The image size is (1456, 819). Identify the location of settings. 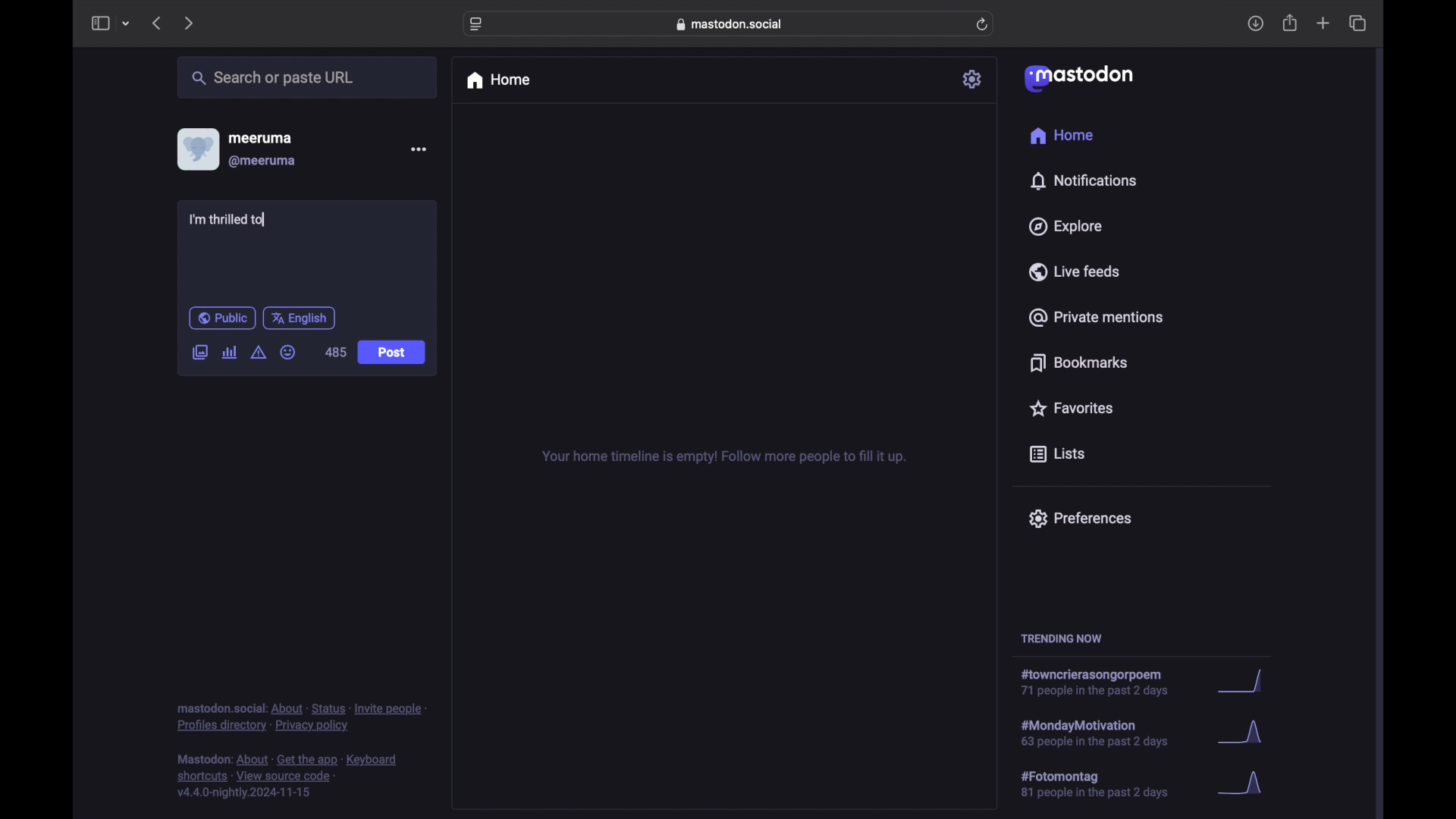
(973, 79).